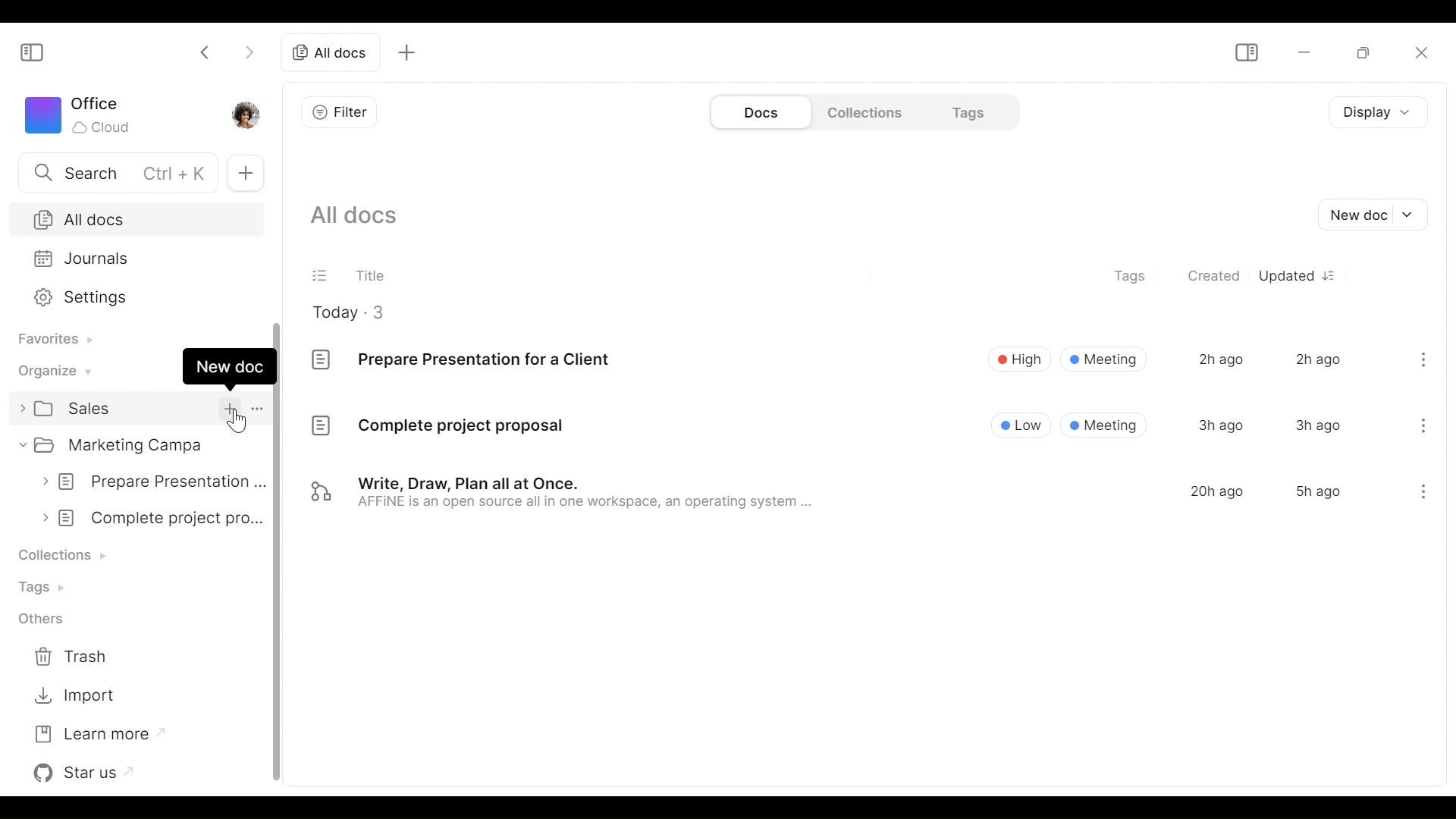  I want to click on Title, so click(371, 272).